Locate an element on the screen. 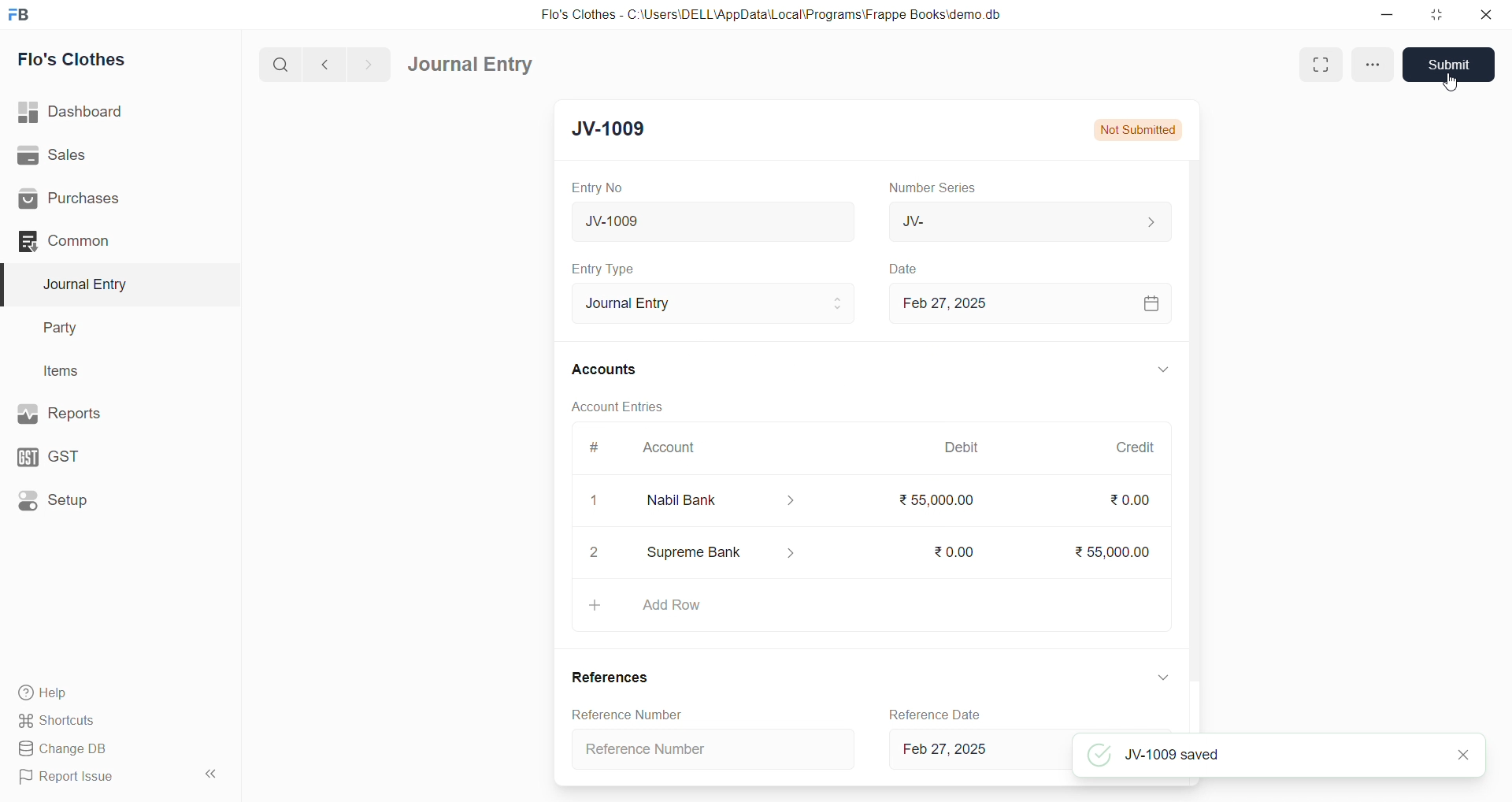  selected is located at coordinates (9, 284).